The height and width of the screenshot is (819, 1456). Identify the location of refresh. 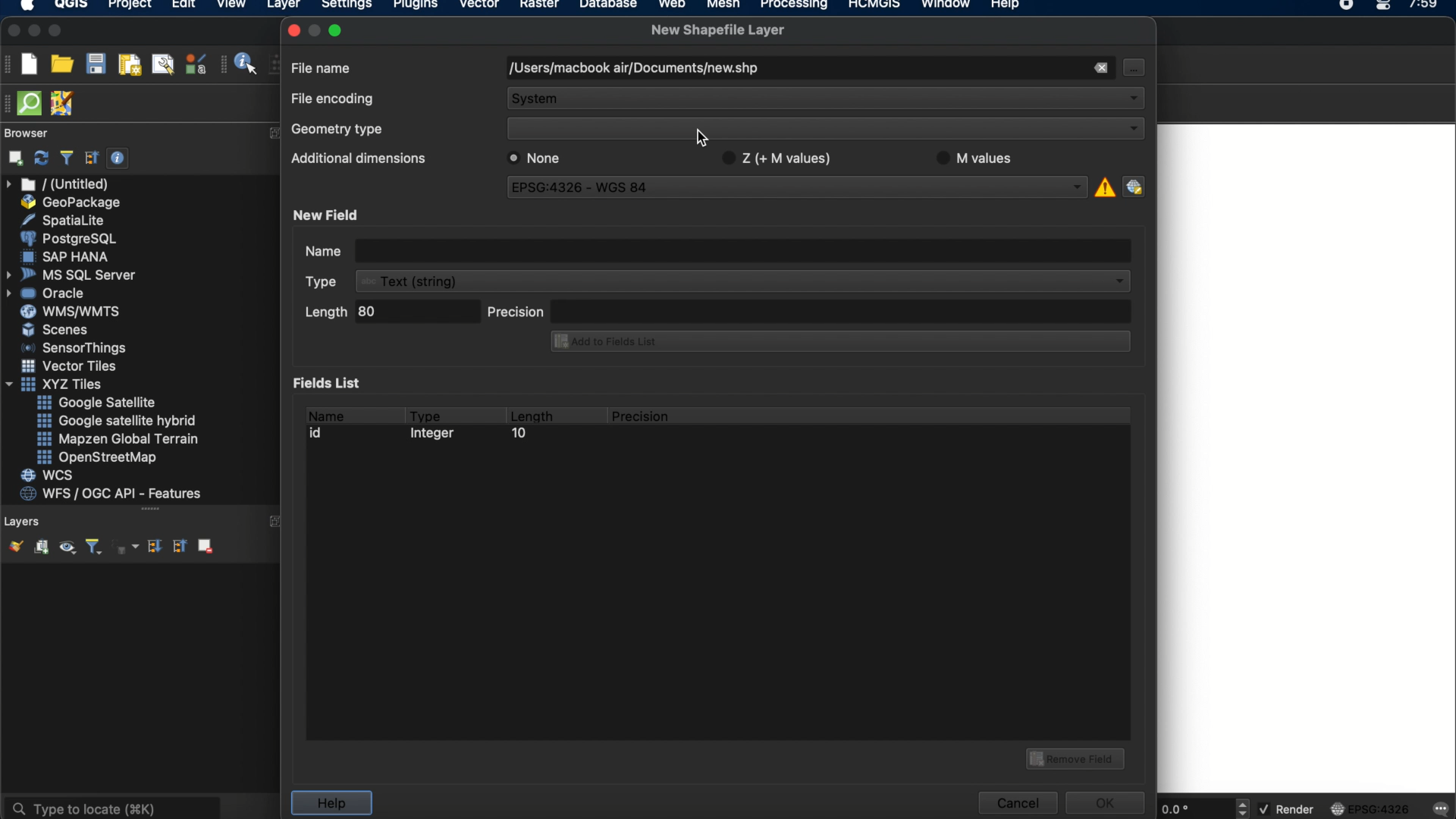
(42, 158).